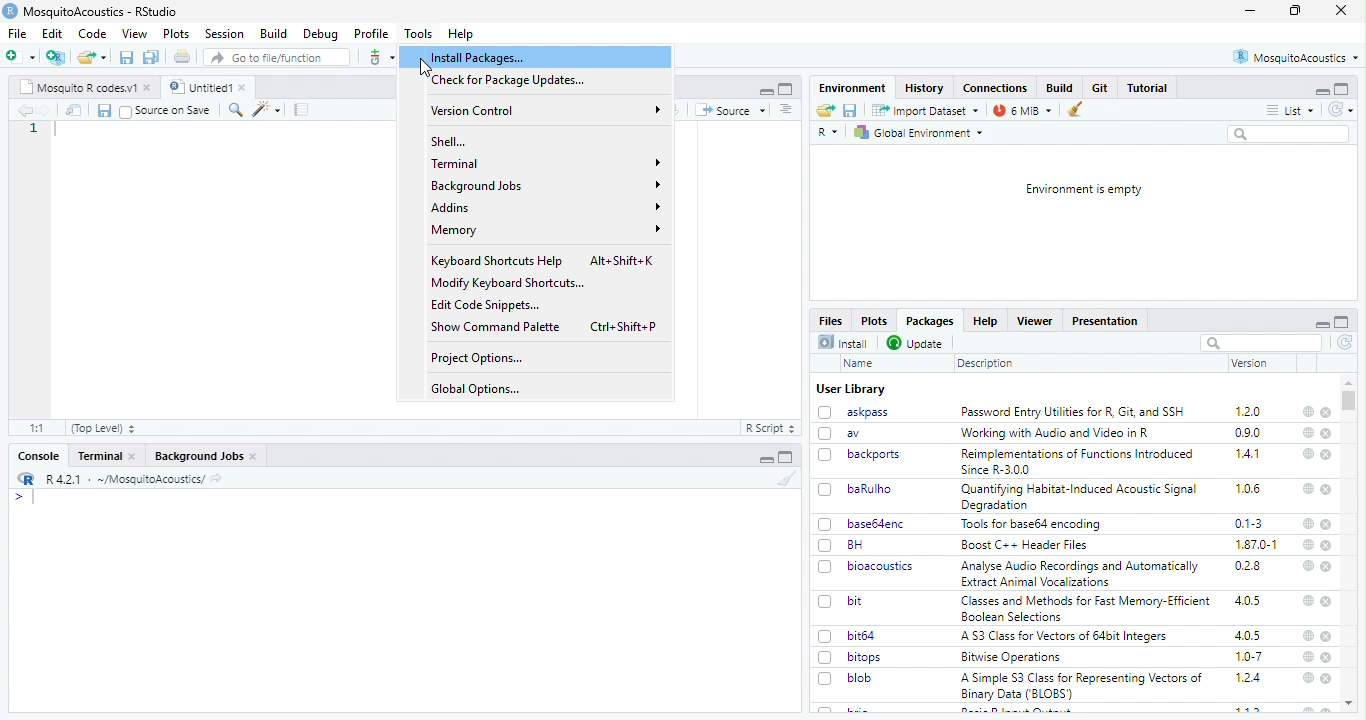  I want to click on 6 MiB, so click(1023, 111).